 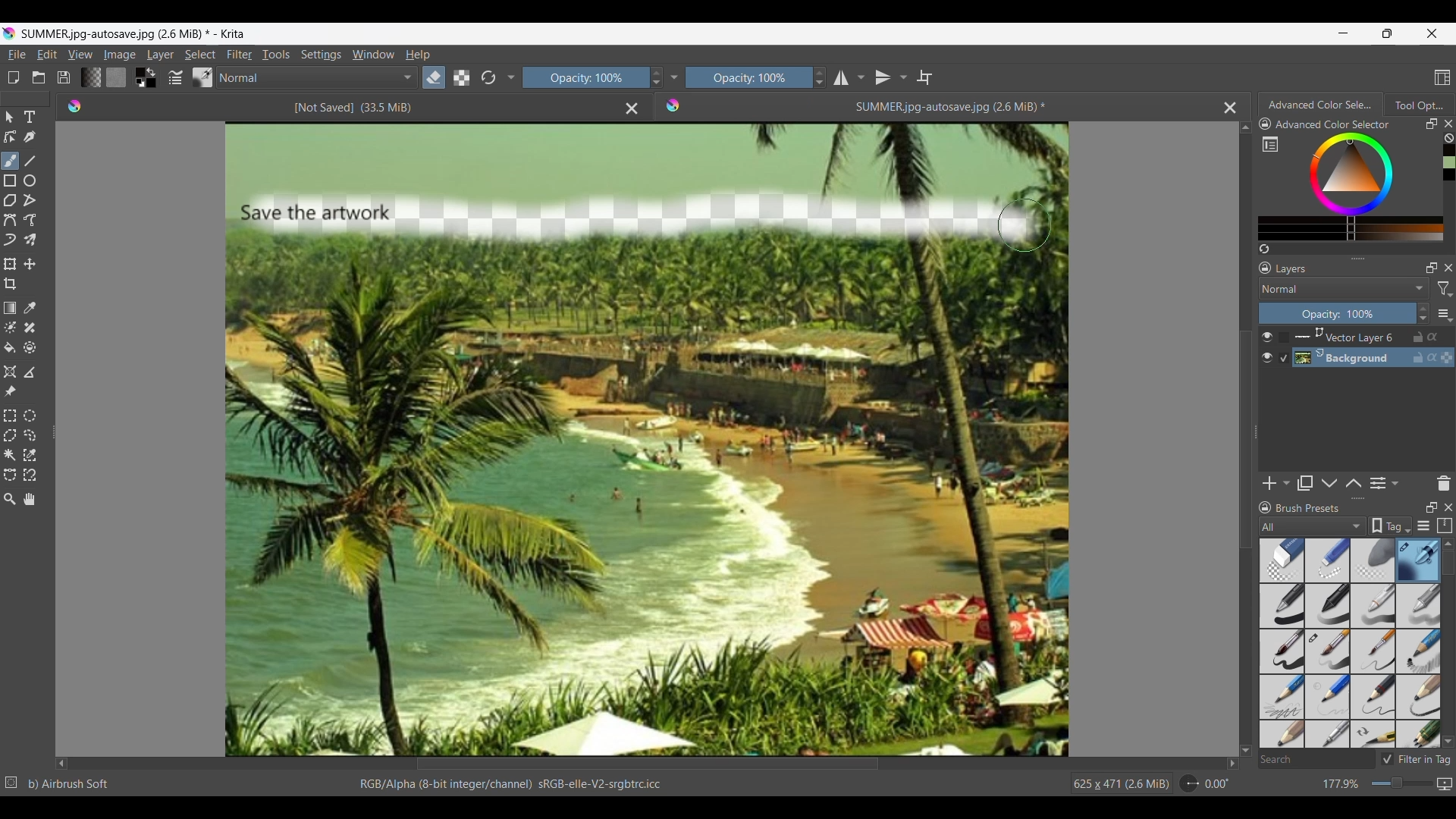 I want to click on Close panel, so click(x=1448, y=507).